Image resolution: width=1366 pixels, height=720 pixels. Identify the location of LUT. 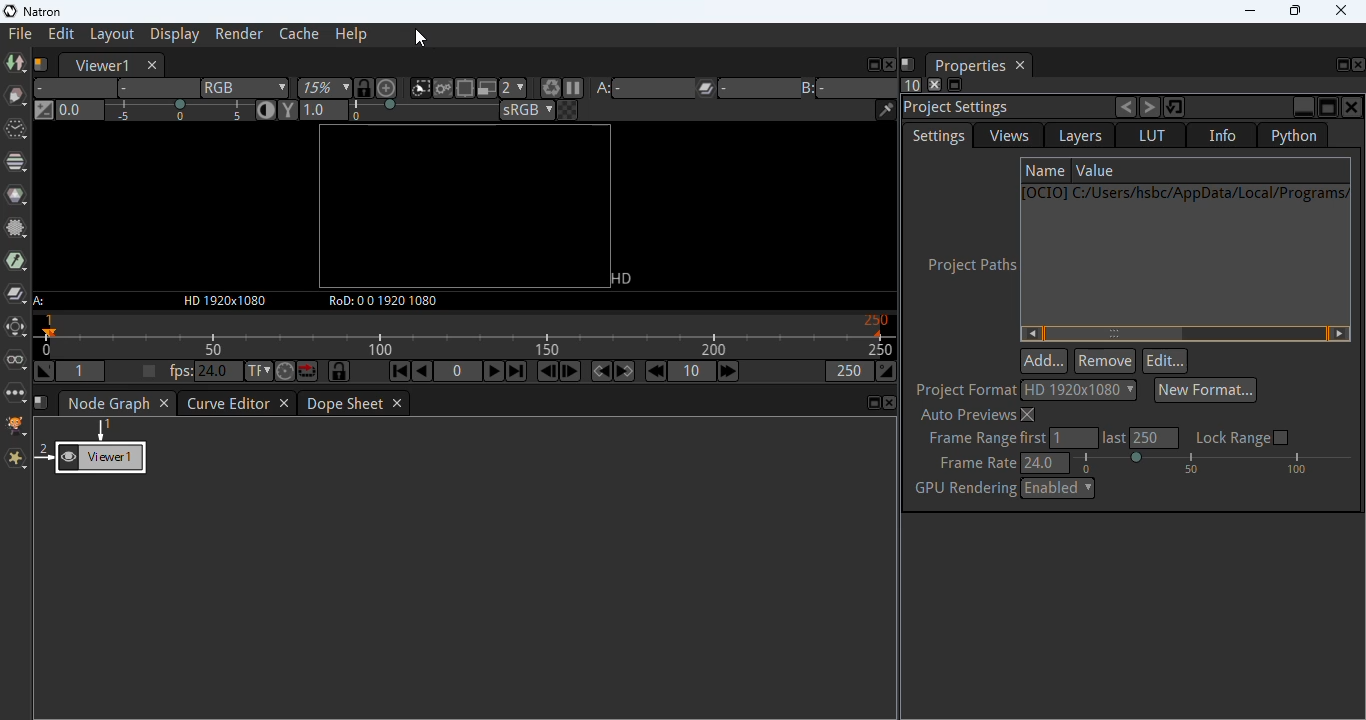
(1151, 135).